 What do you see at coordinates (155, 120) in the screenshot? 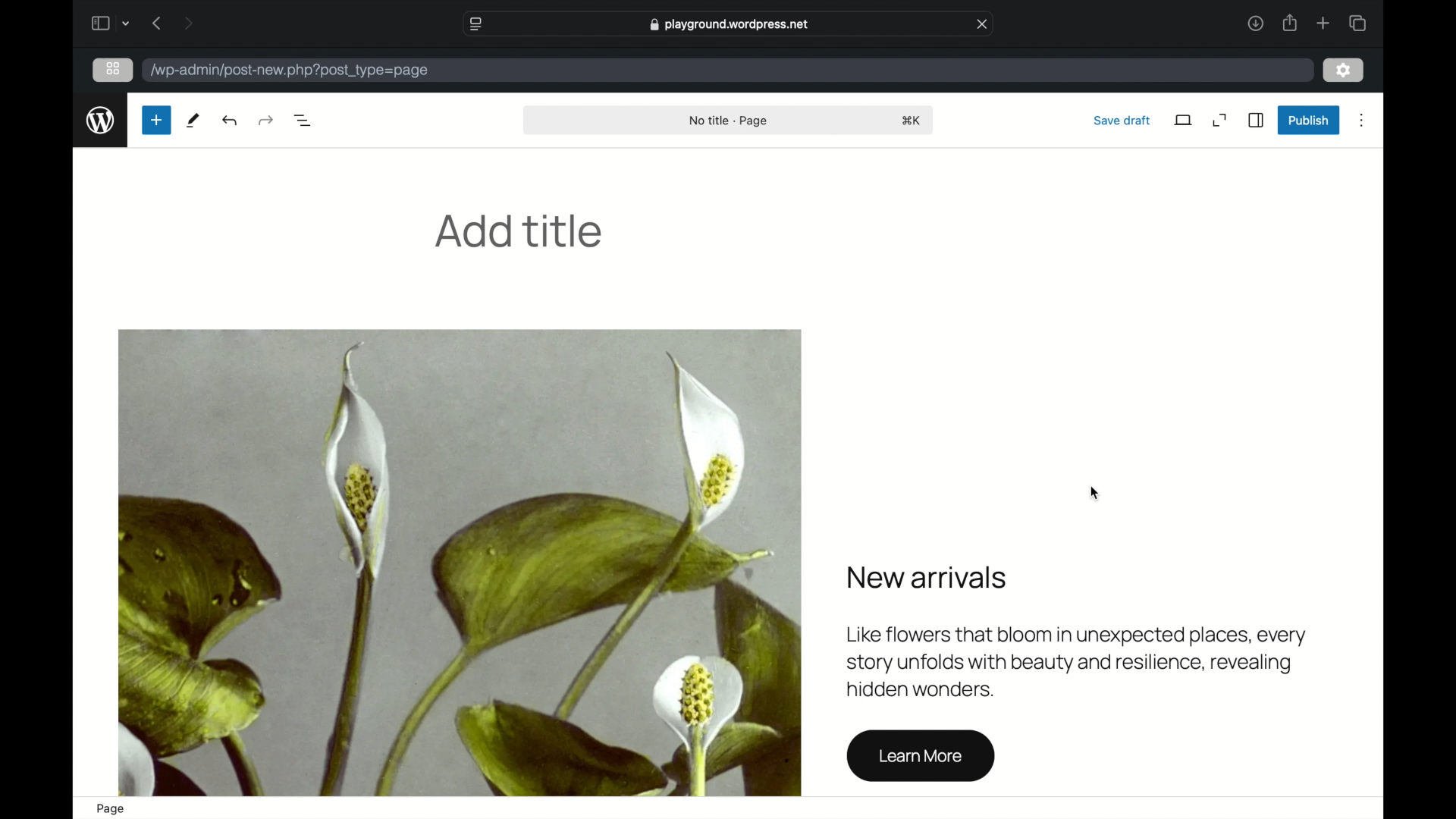
I see `new` at bounding box center [155, 120].